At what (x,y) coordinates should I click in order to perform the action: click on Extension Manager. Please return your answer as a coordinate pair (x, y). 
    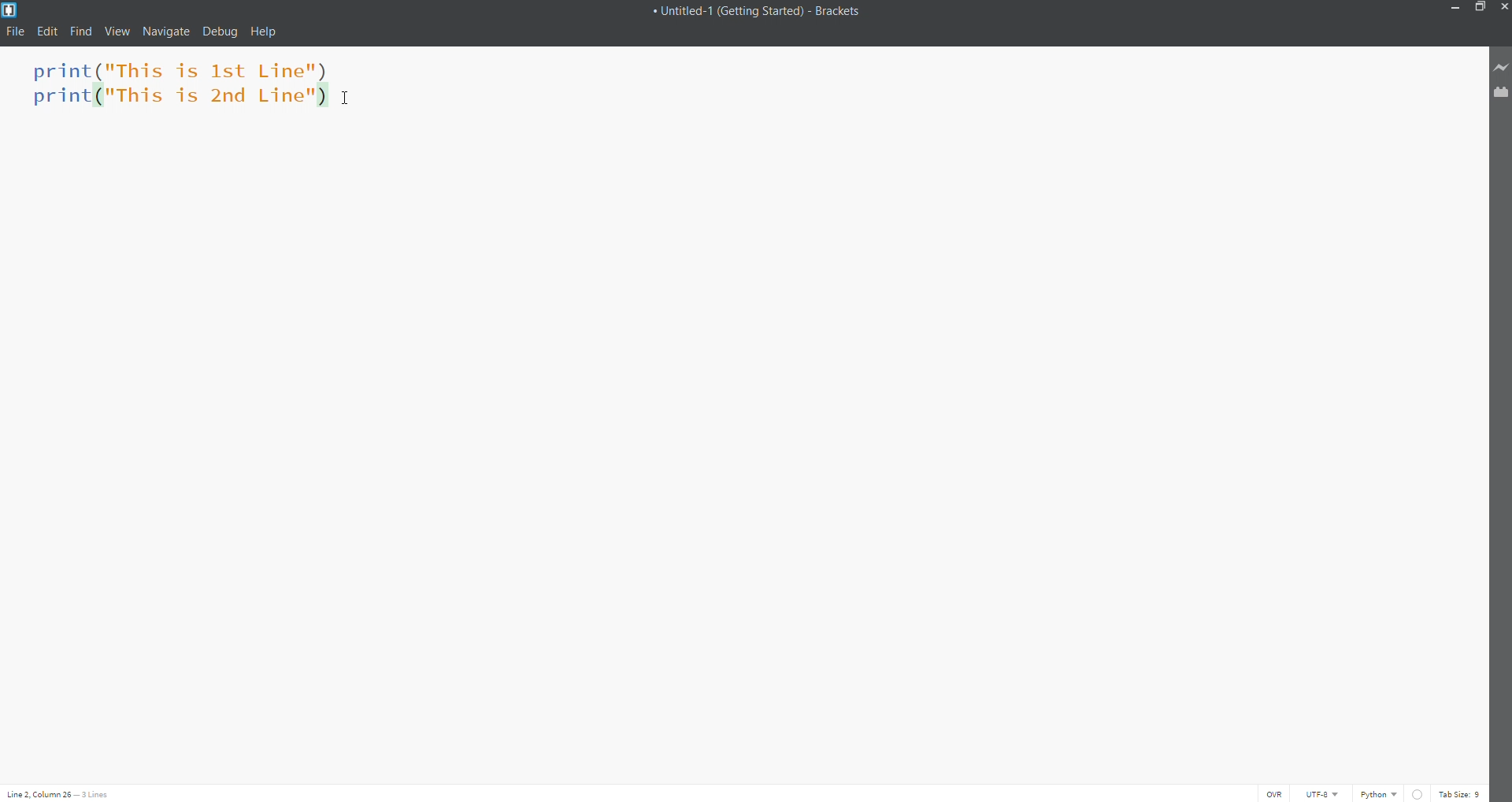
    Looking at the image, I should click on (1500, 94).